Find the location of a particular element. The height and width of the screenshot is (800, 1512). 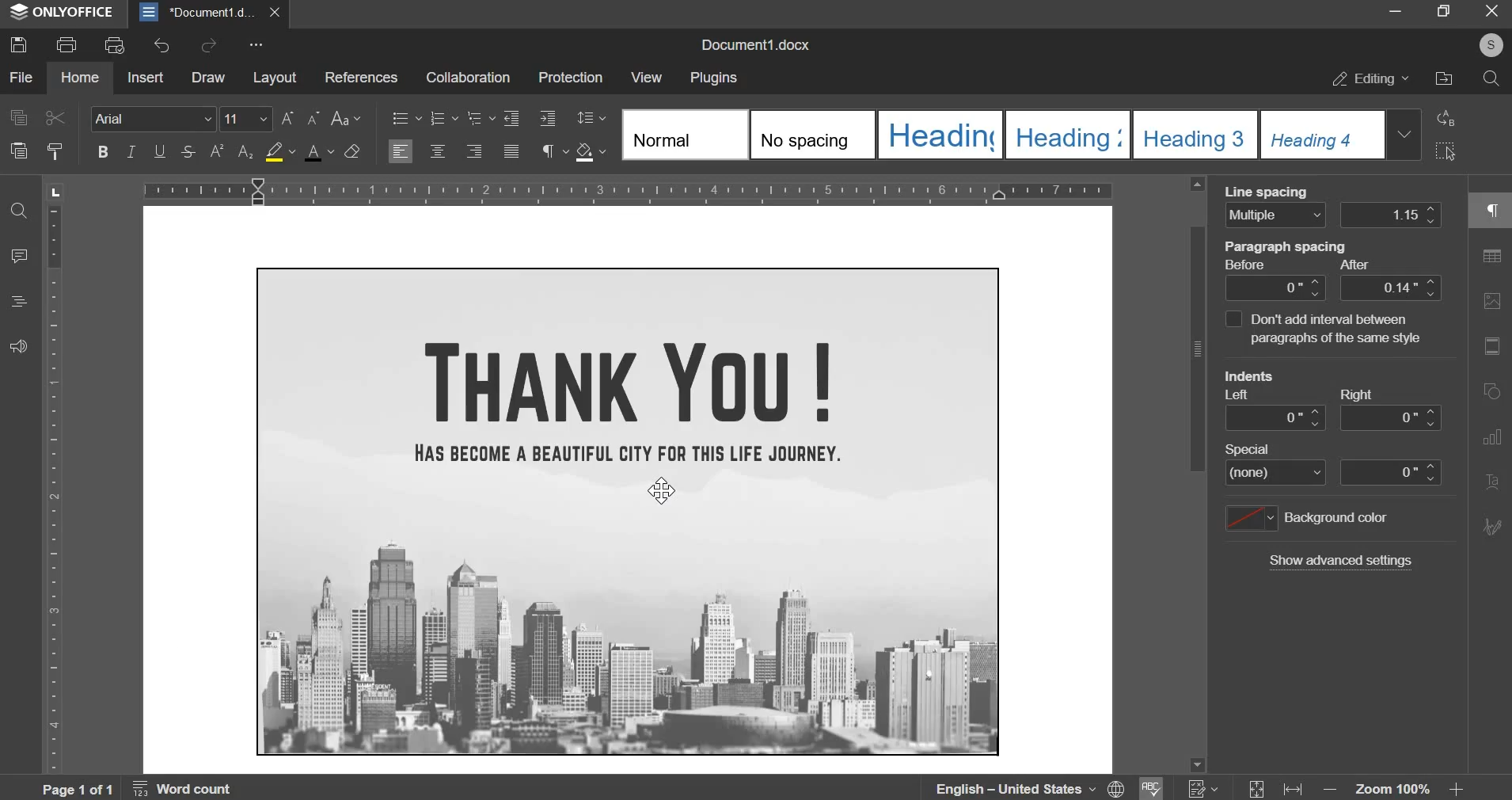

Paragraph spacing is located at coordinates (1286, 248).